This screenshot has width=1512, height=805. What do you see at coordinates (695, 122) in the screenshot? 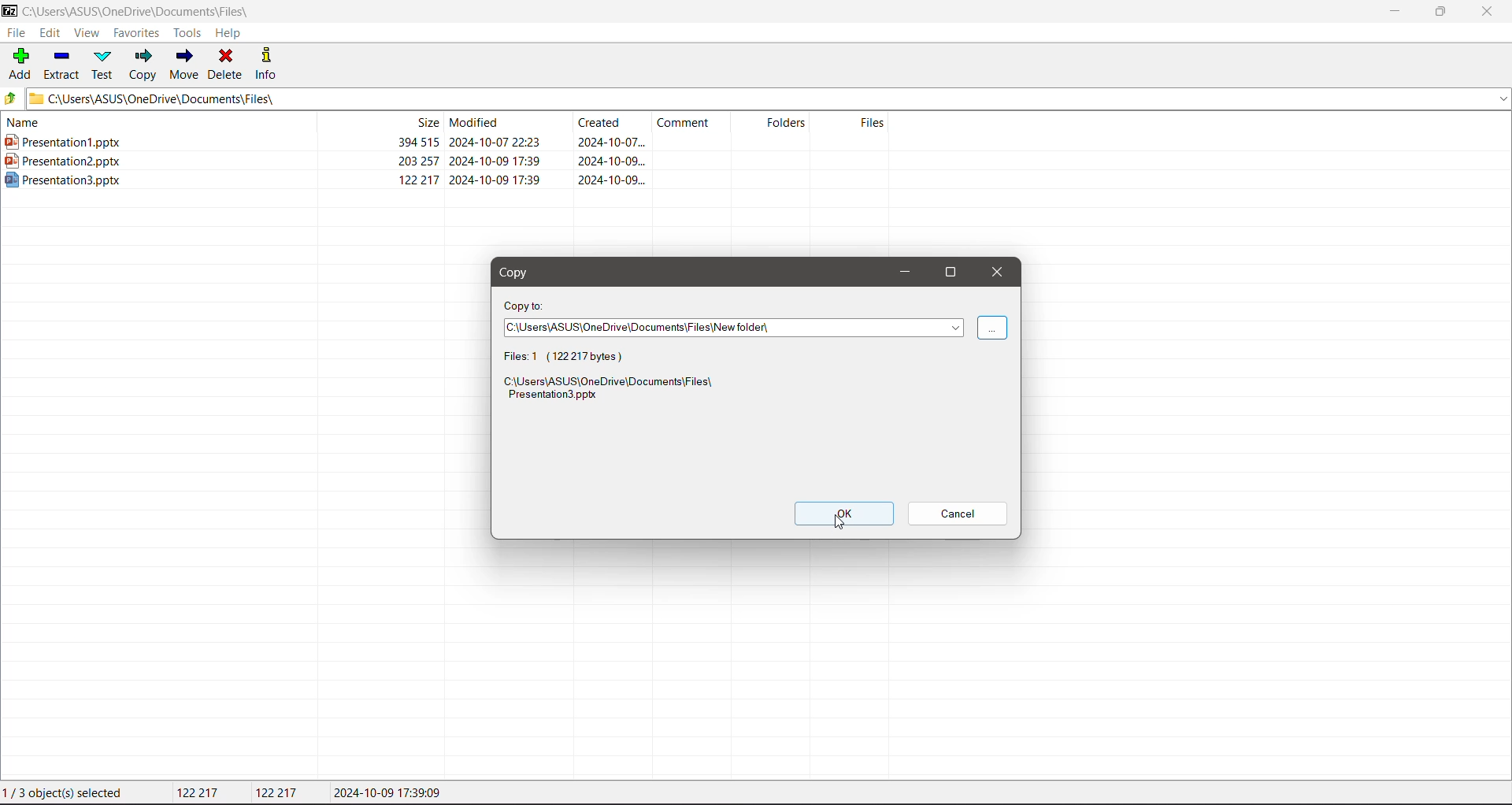
I see `Comment` at bounding box center [695, 122].